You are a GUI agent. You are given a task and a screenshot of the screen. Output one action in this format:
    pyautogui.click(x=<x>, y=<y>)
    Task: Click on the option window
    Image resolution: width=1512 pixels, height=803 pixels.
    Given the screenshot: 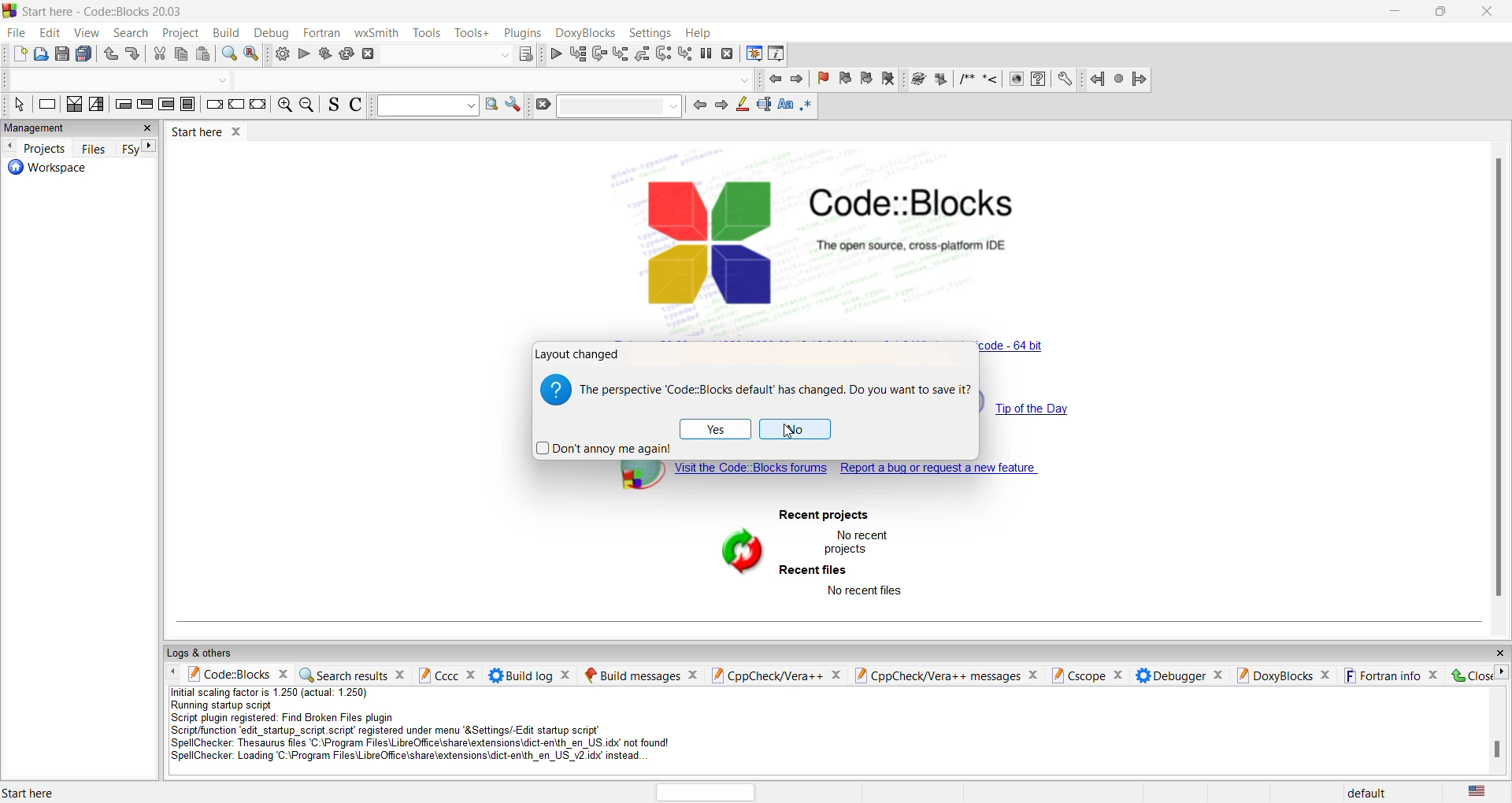 What is the action you would take?
    pyautogui.click(x=491, y=105)
    